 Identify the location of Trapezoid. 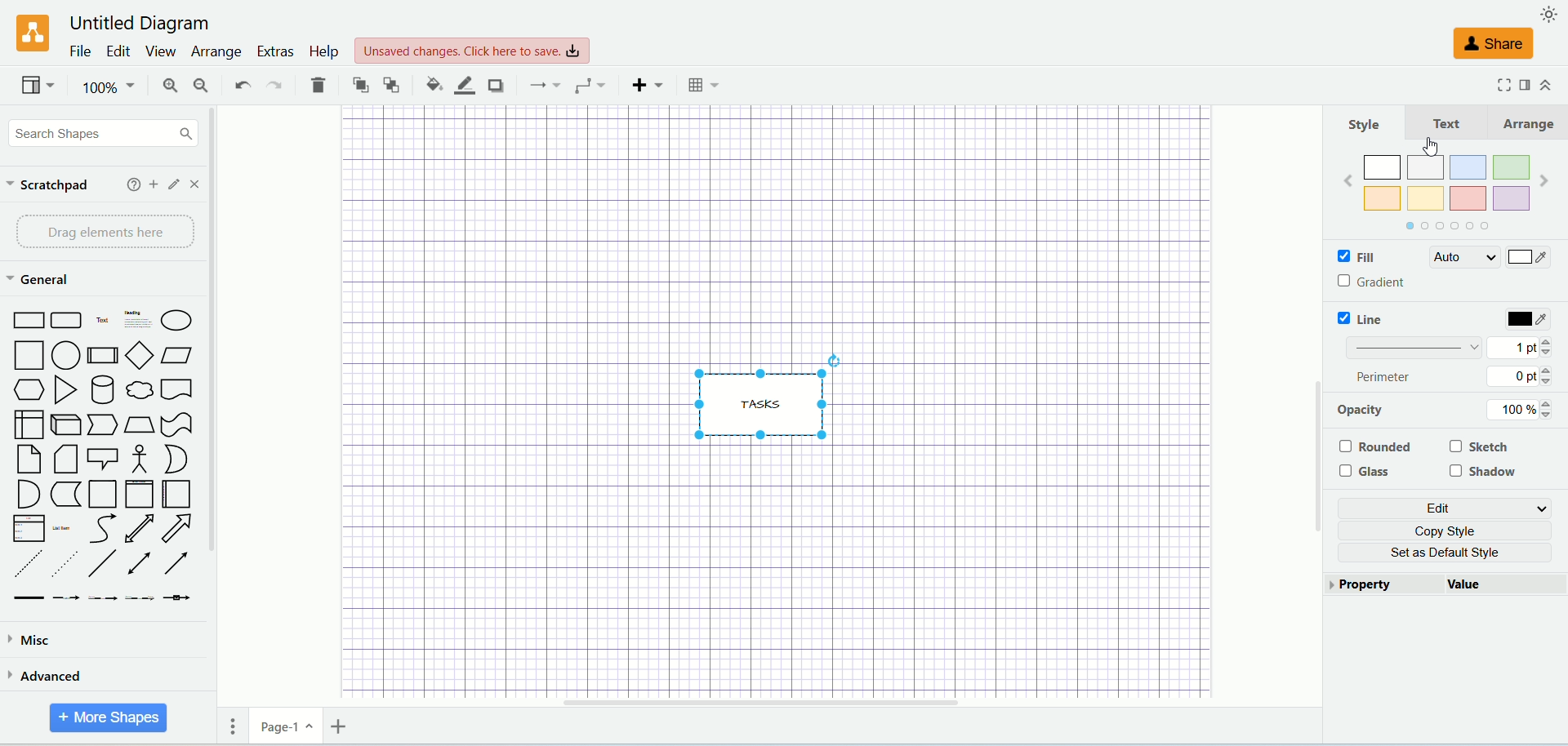
(139, 425).